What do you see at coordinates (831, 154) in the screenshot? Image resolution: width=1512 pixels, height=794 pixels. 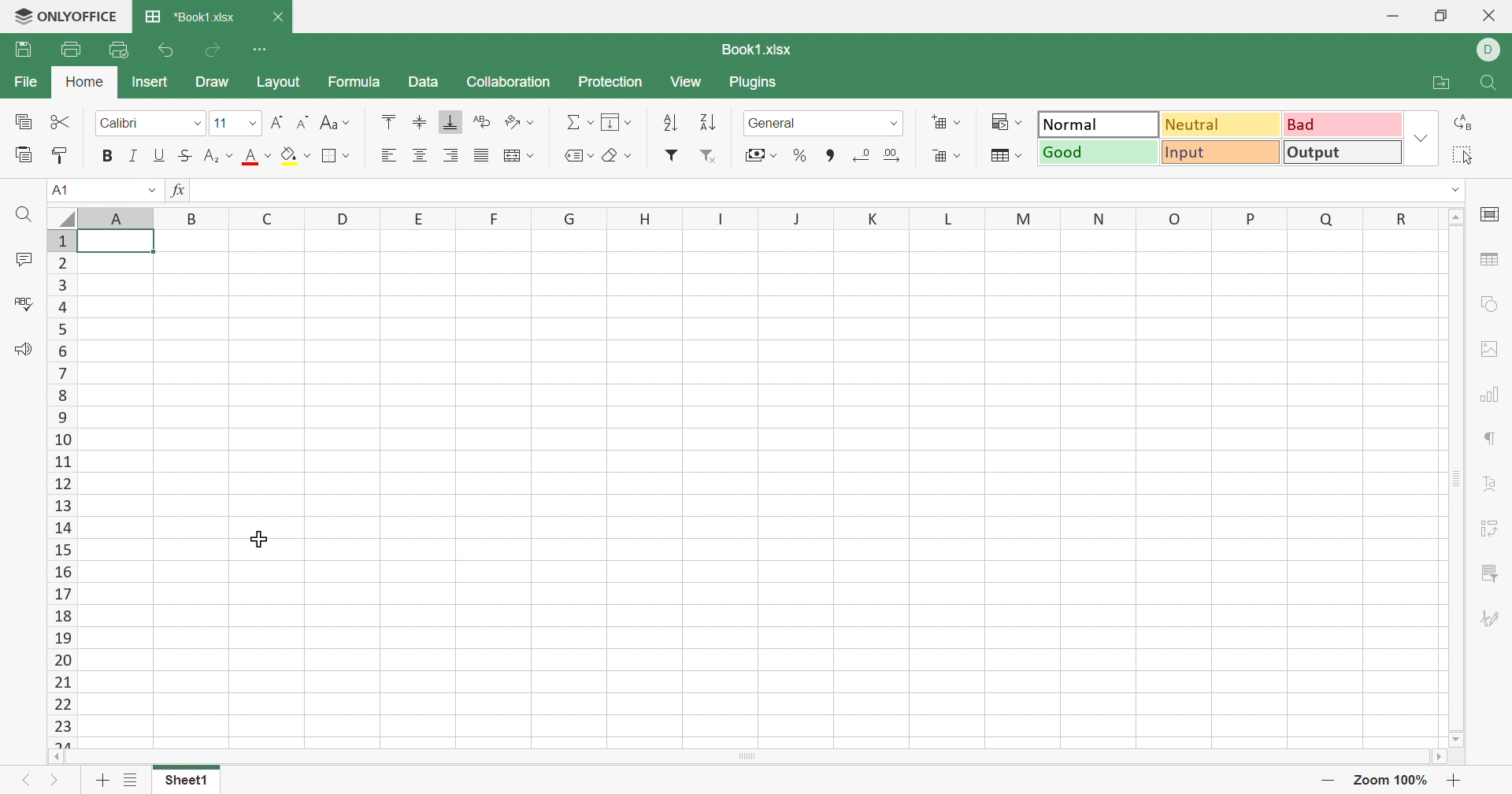 I see `Comma style` at bounding box center [831, 154].